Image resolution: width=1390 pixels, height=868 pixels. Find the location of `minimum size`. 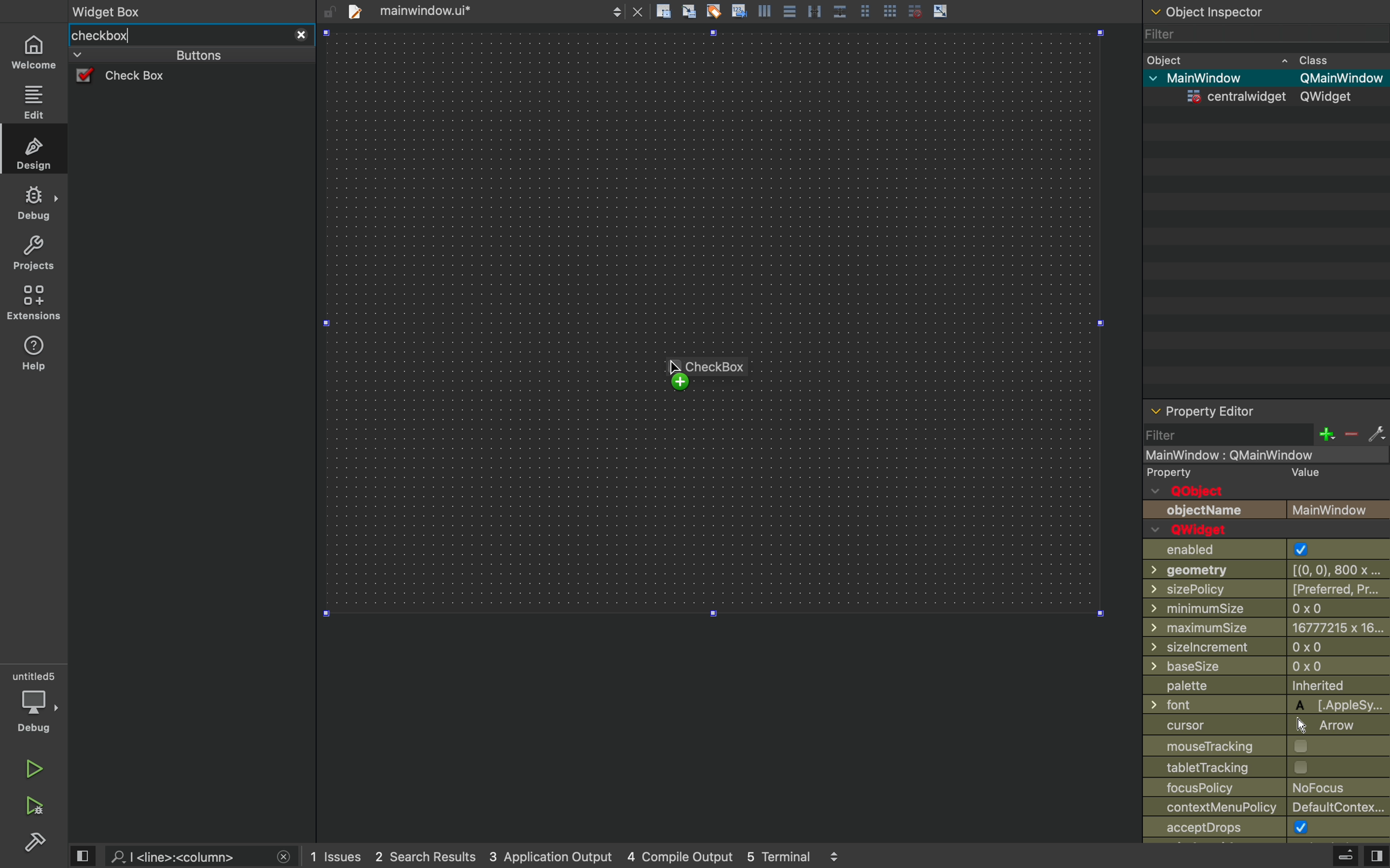

minimum size is located at coordinates (1240, 609).